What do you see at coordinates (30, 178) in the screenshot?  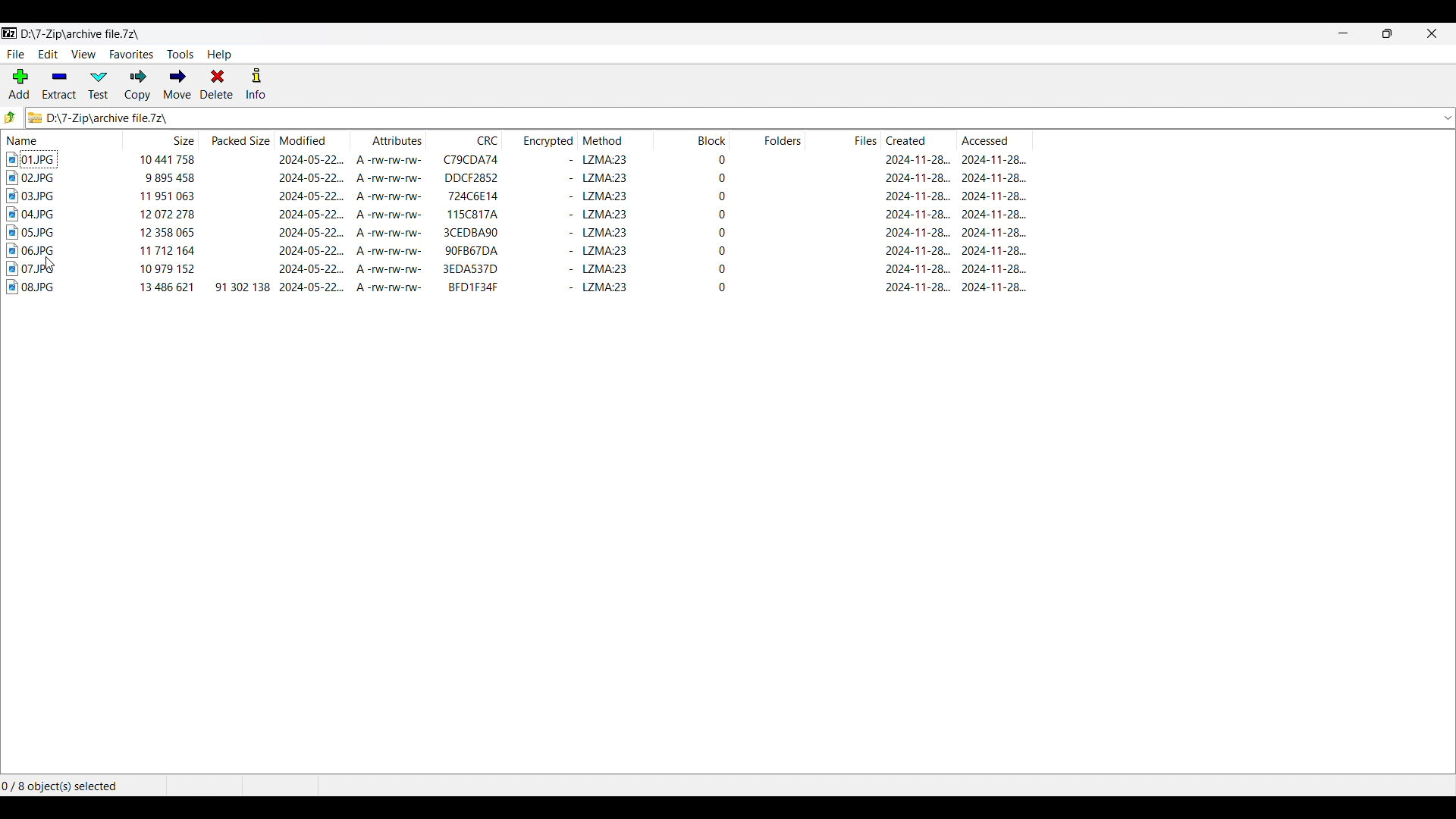 I see `image file` at bounding box center [30, 178].